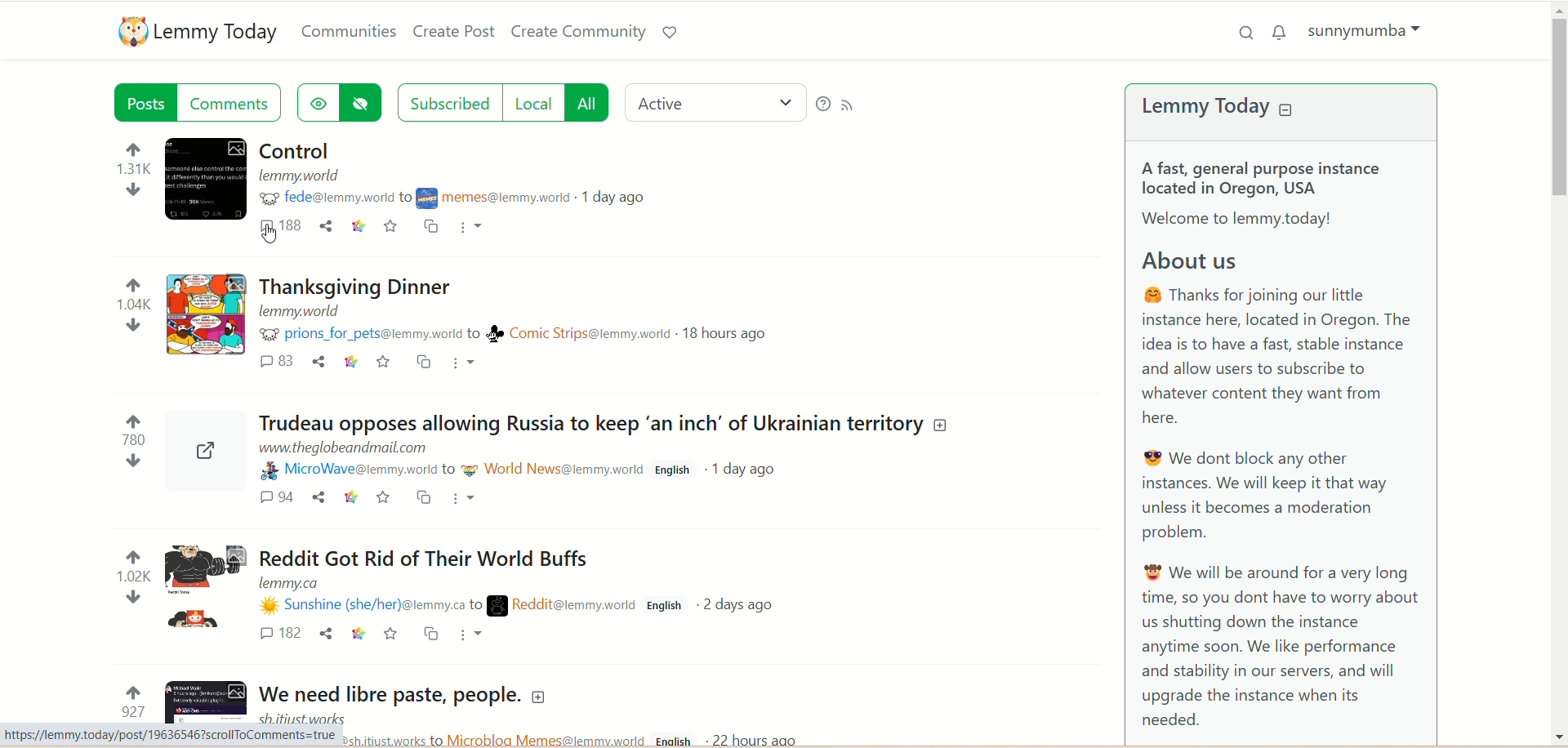 This screenshot has height=748, width=1568. I want to click on Expand the post with the image details, so click(205, 581).